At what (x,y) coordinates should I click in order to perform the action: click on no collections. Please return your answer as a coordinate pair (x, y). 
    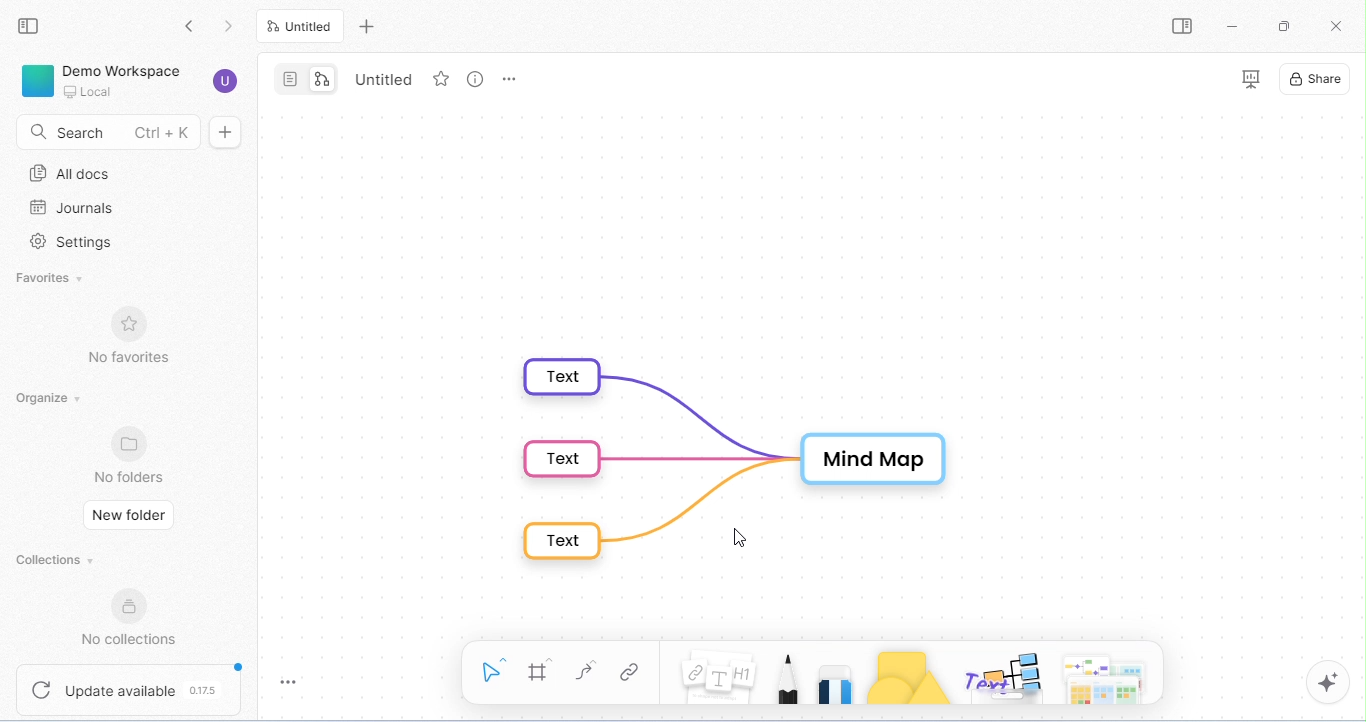
    Looking at the image, I should click on (130, 619).